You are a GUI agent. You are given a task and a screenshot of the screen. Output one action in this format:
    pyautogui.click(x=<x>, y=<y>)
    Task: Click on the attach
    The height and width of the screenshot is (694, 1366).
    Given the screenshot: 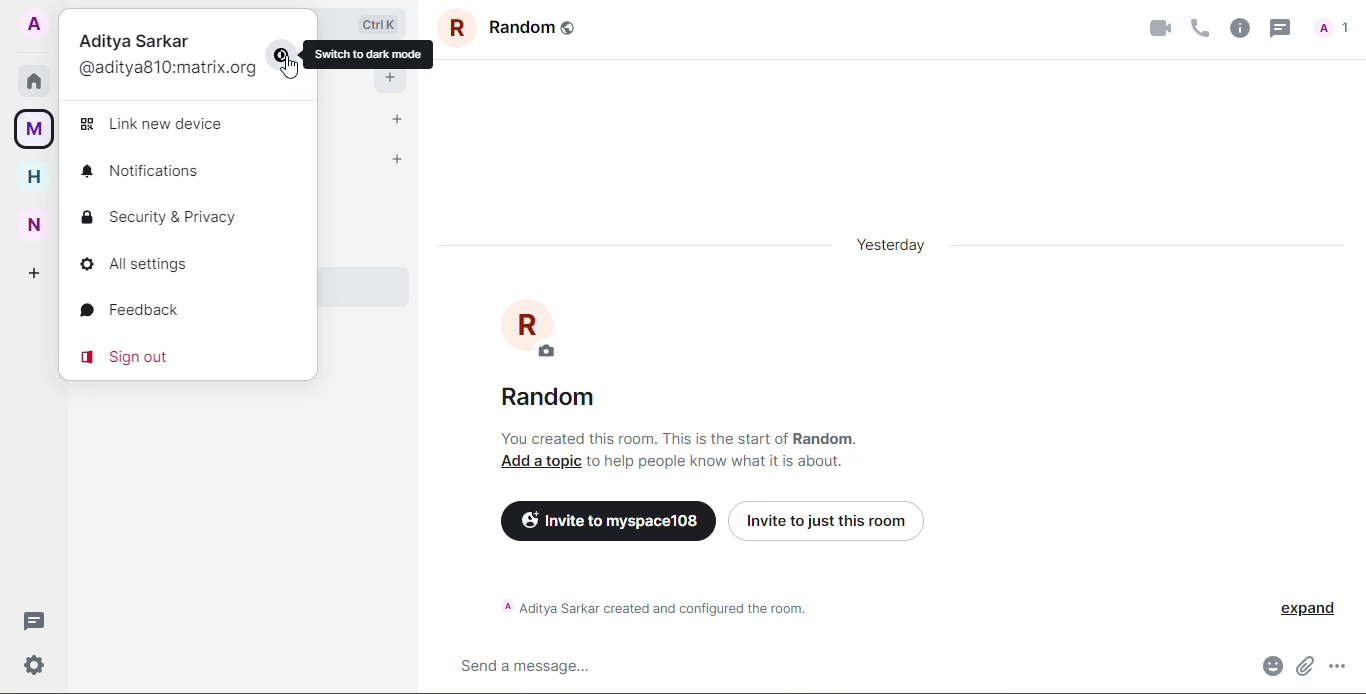 What is the action you would take?
    pyautogui.click(x=1305, y=666)
    